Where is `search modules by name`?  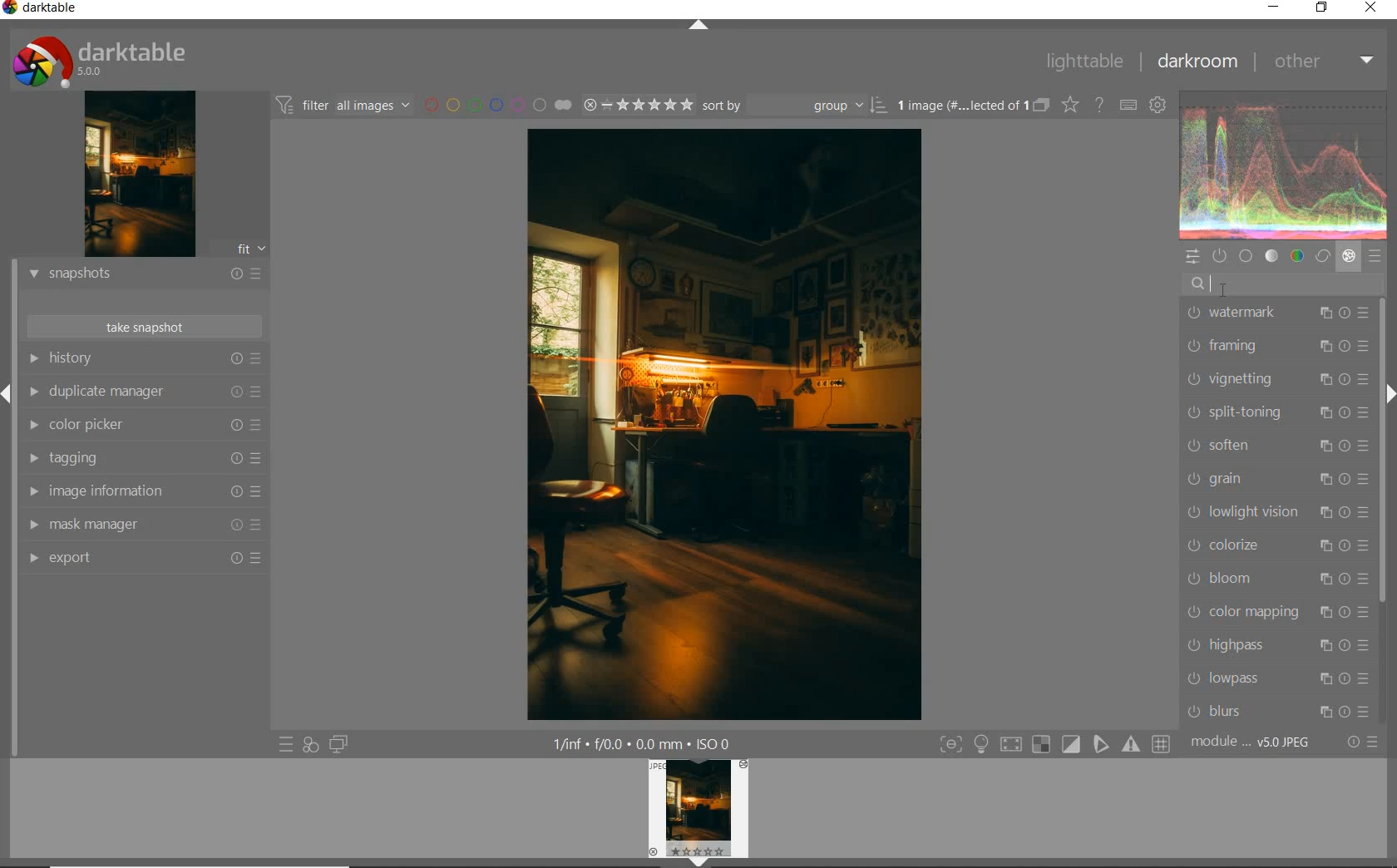
search modules by name is located at coordinates (1283, 284).